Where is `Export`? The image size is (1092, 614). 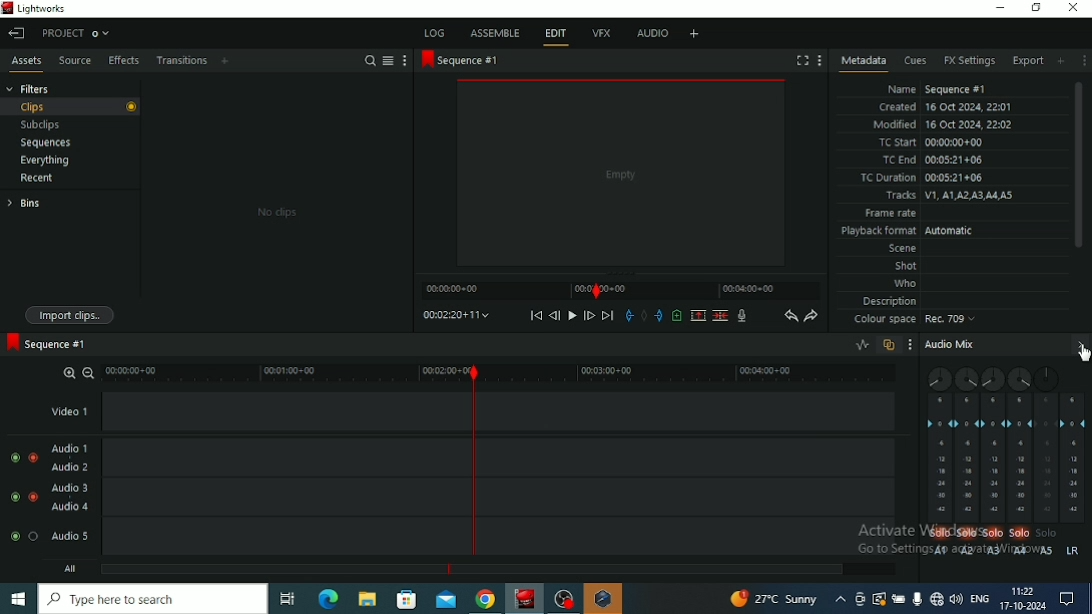
Export is located at coordinates (1028, 61).